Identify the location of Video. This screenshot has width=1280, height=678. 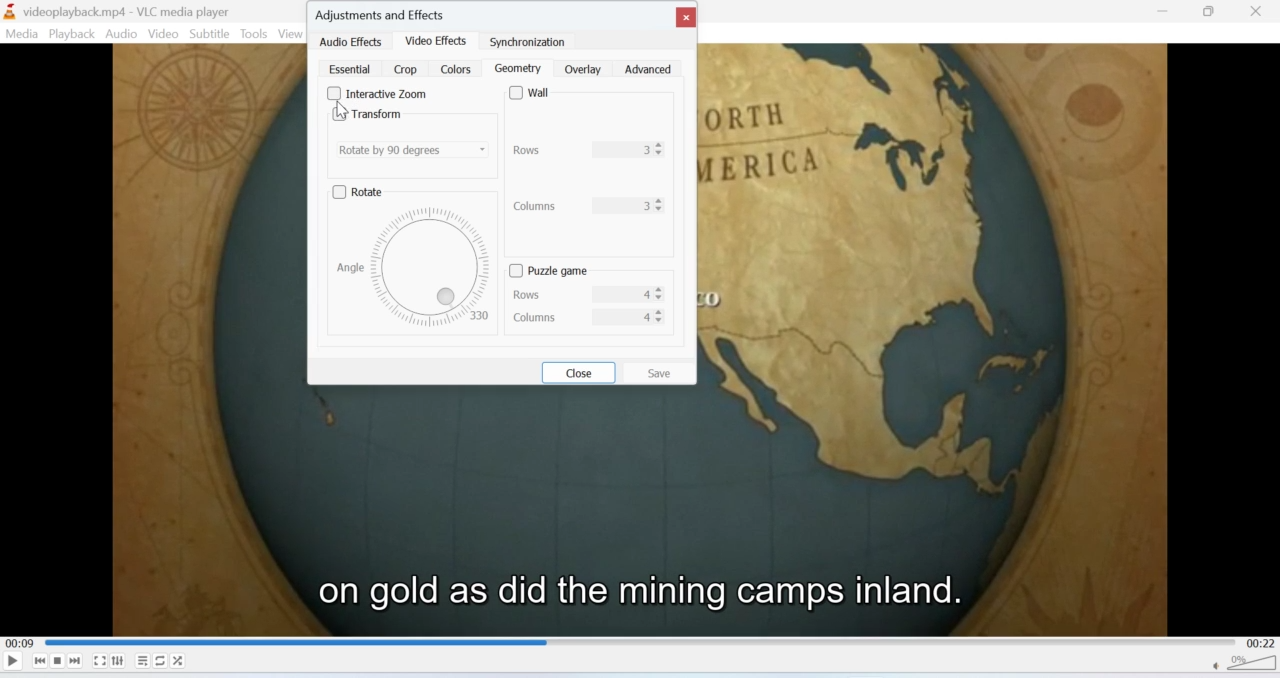
(161, 34).